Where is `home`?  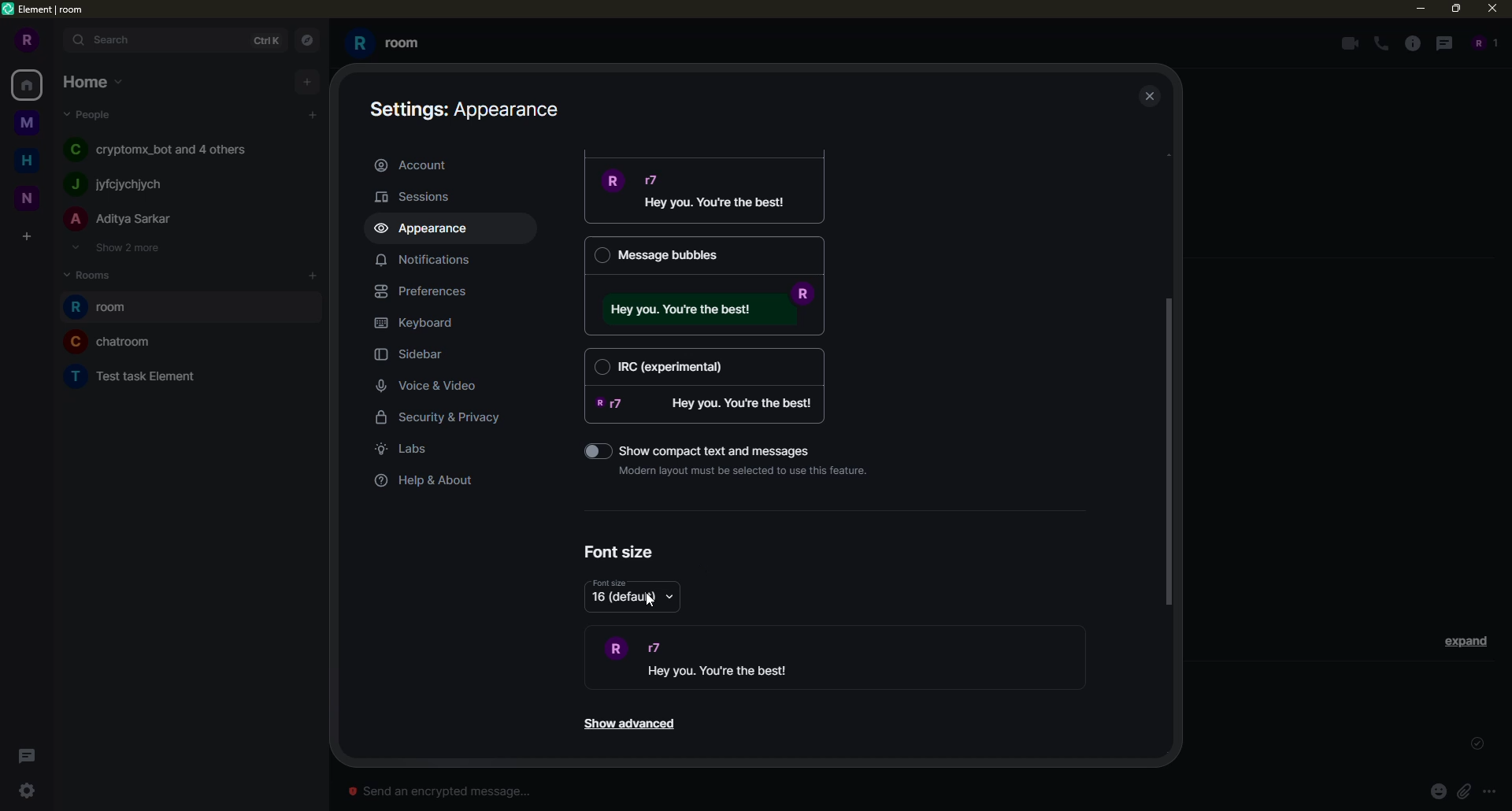 home is located at coordinates (31, 158).